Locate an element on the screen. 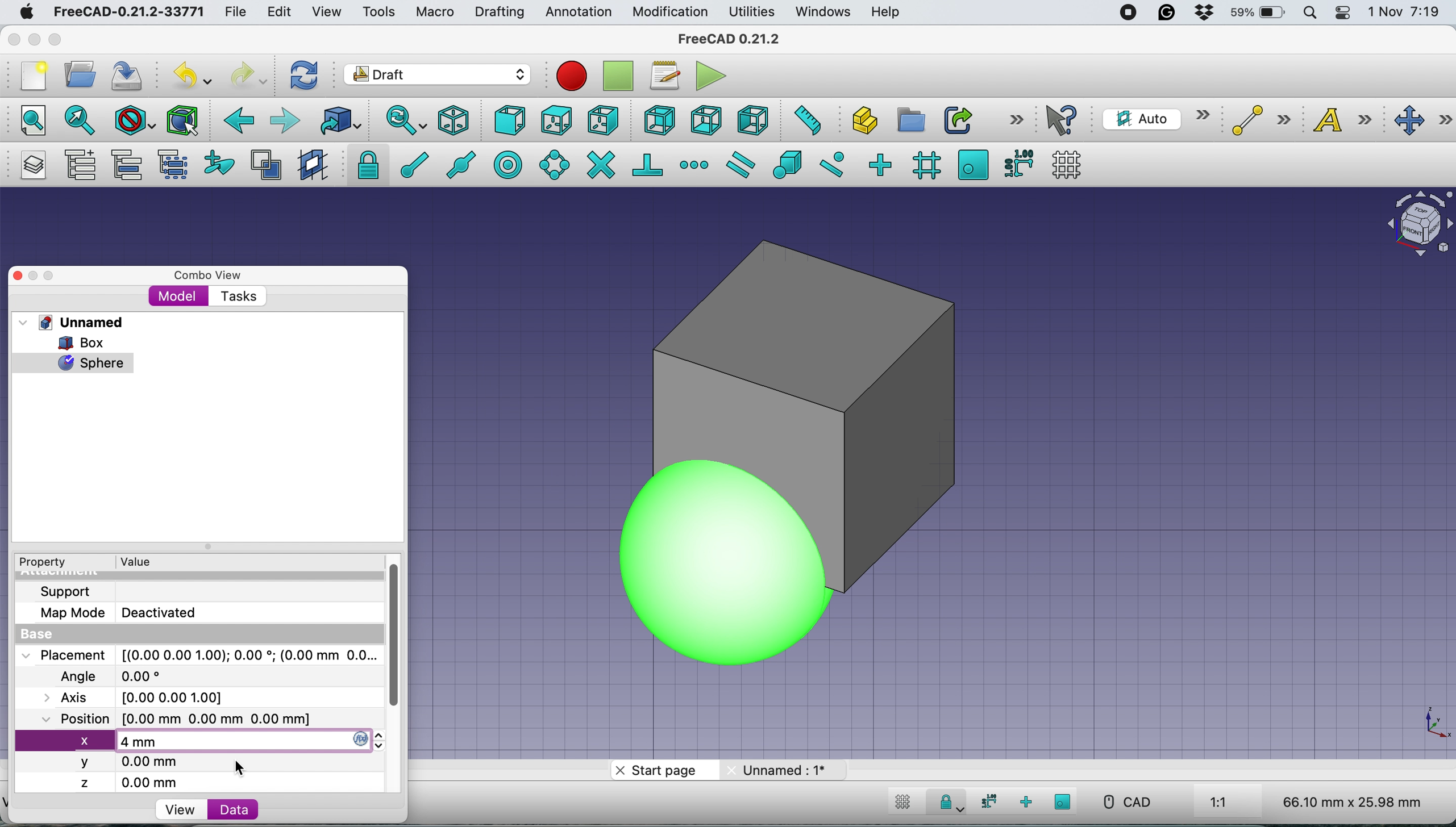 This screenshot has width=1456, height=827. close is located at coordinates (14, 36).